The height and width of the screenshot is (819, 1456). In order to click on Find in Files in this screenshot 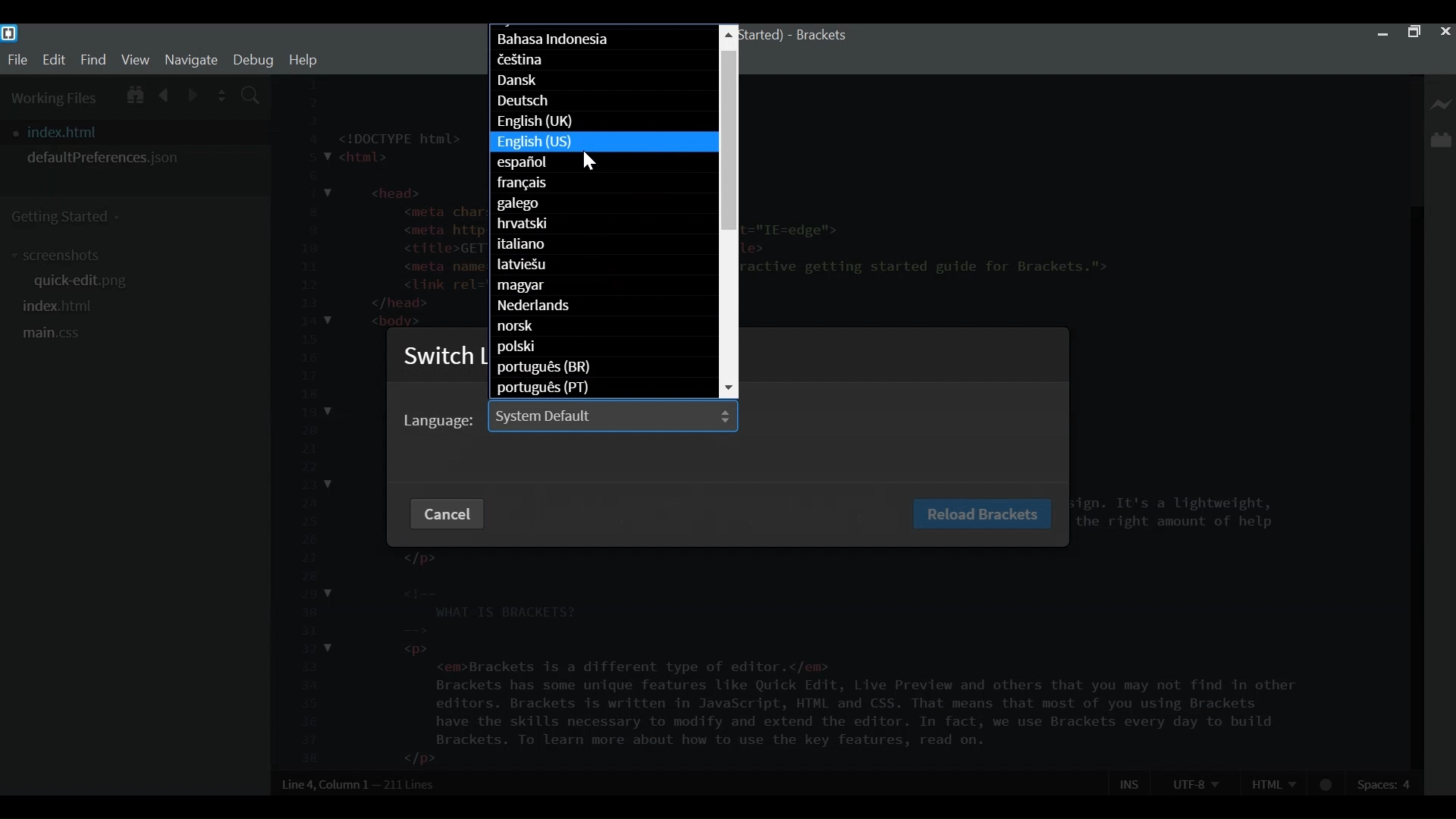, I will do `click(252, 97)`.